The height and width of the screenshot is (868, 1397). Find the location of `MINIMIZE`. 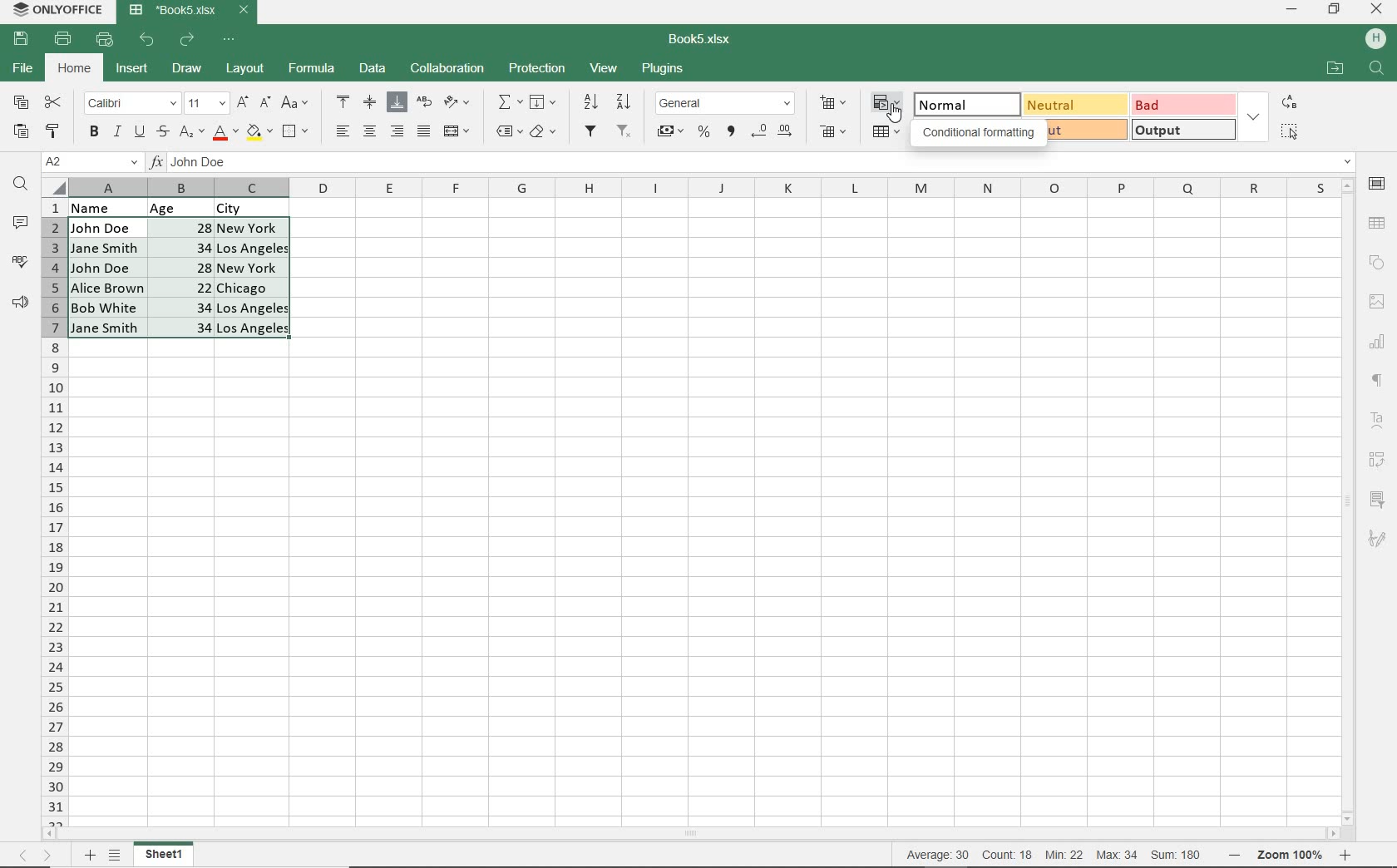

MINIMIZE is located at coordinates (1293, 10).